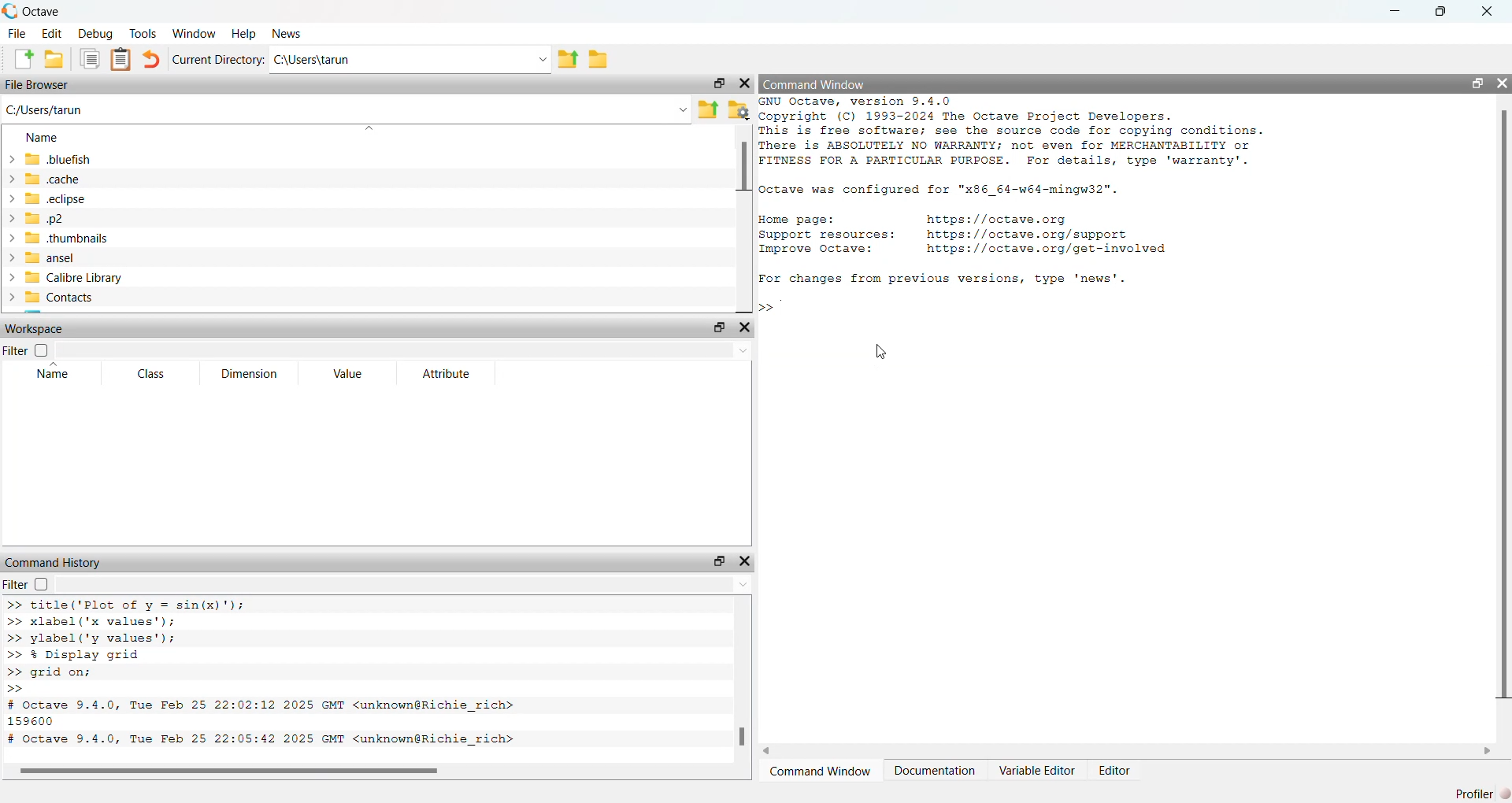 This screenshot has width=1512, height=803. I want to click on Editor, so click(1117, 771).